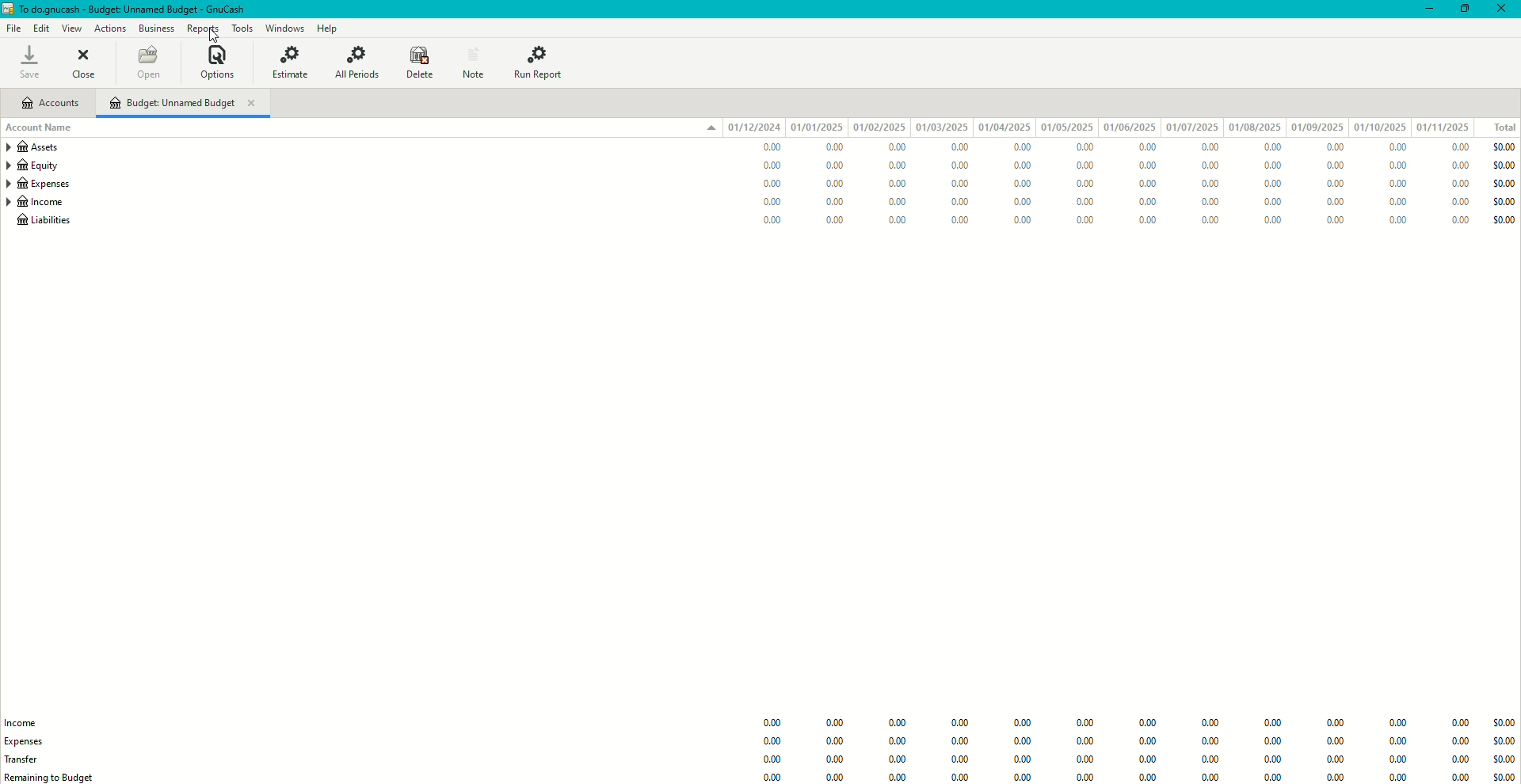  What do you see at coordinates (1334, 724) in the screenshot?
I see `0.00` at bounding box center [1334, 724].